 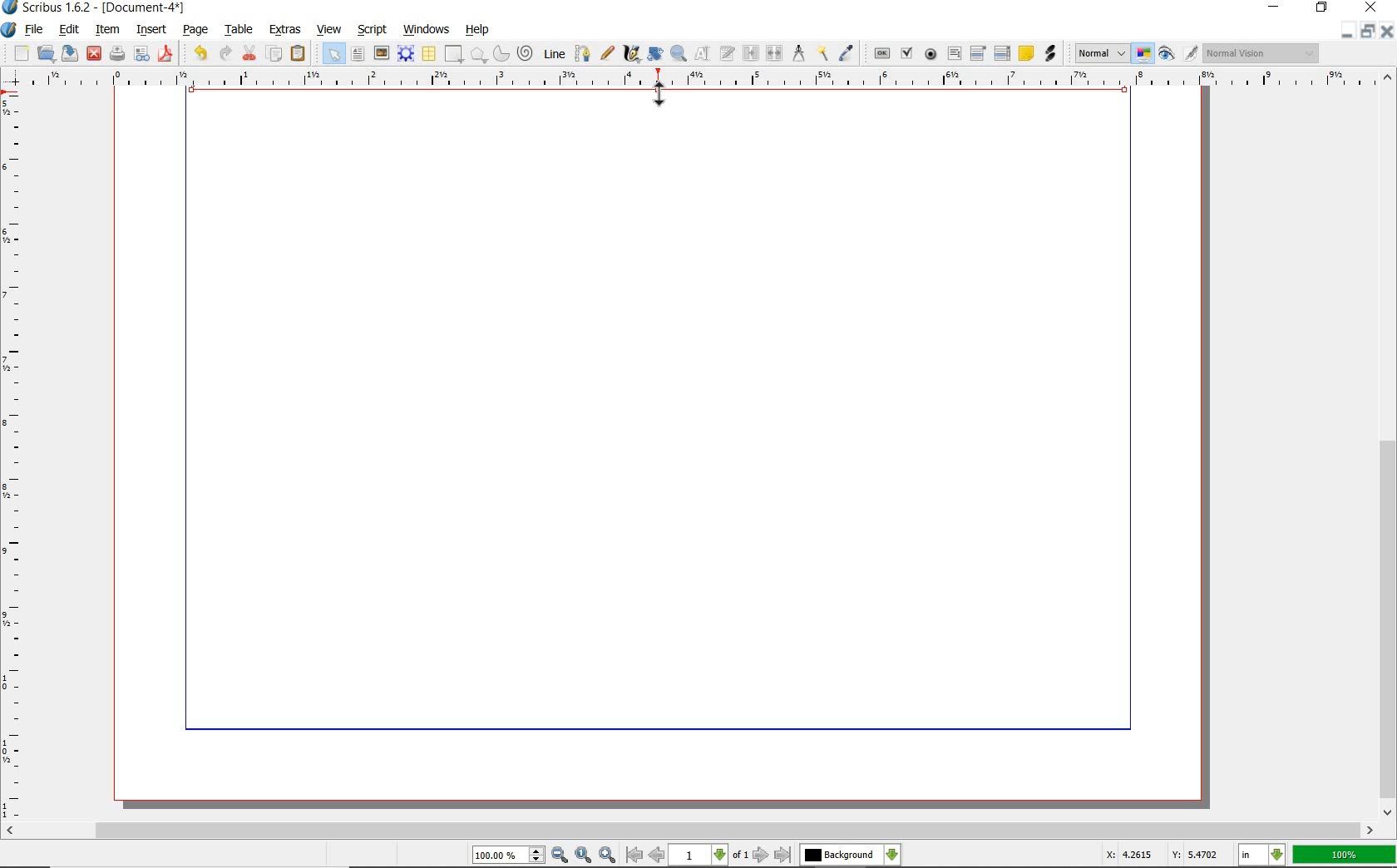 What do you see at coordinates (526, 53) in the screenshot?
I see `spiral` at bounding box center [526, 53].